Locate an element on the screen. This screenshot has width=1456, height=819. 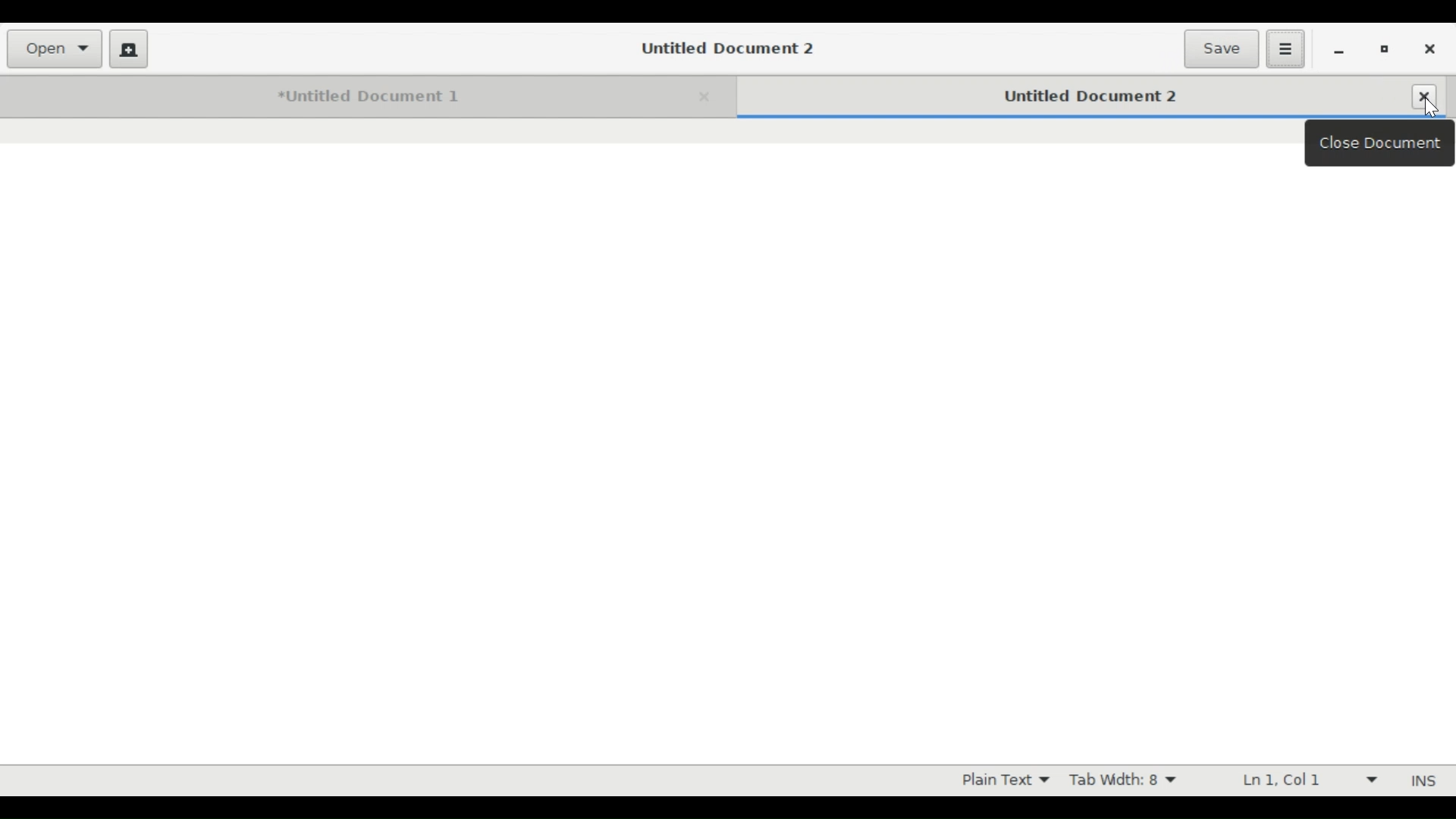
Close is located at coordinates (1427, 46).